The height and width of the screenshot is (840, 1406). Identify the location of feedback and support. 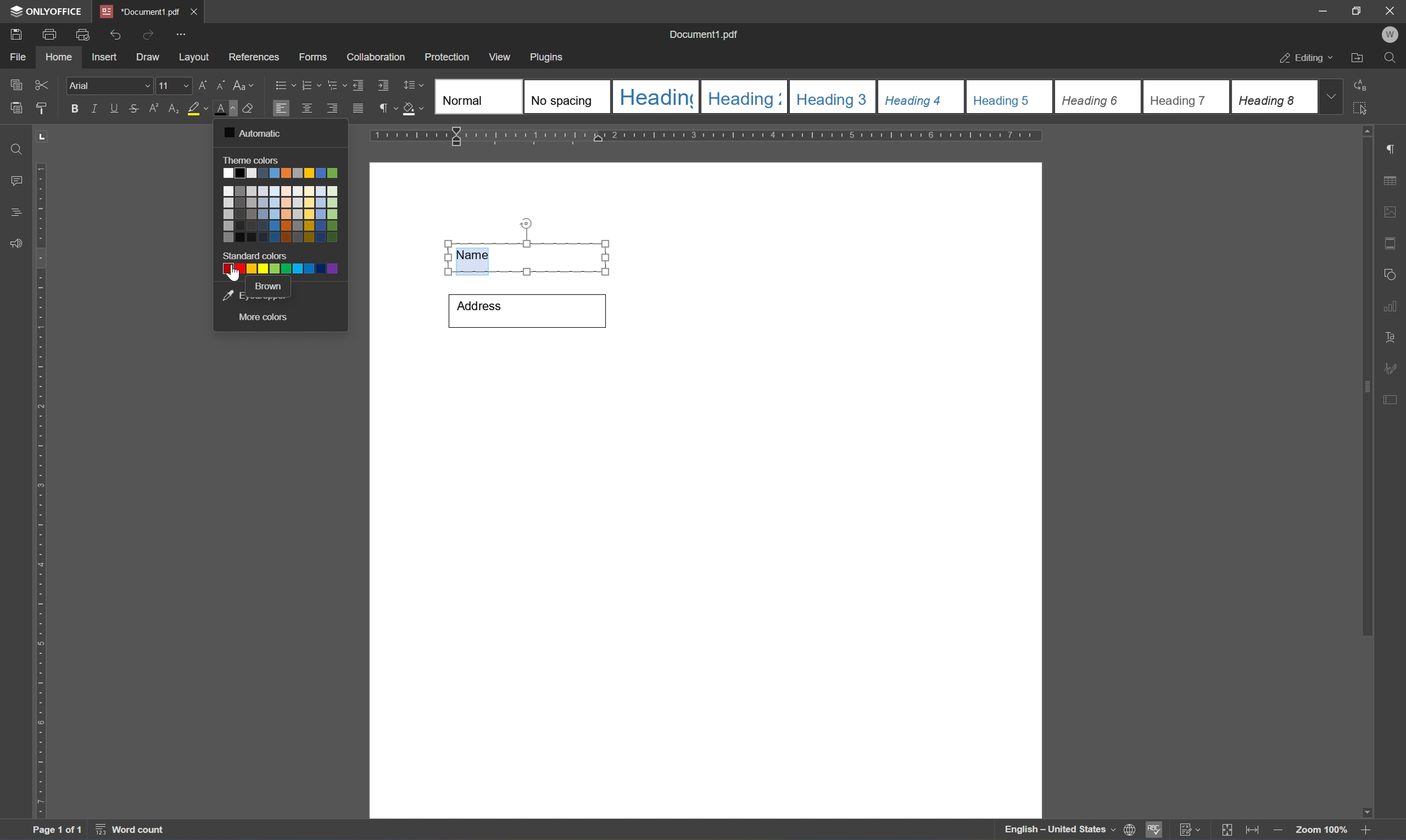
(14, 243).